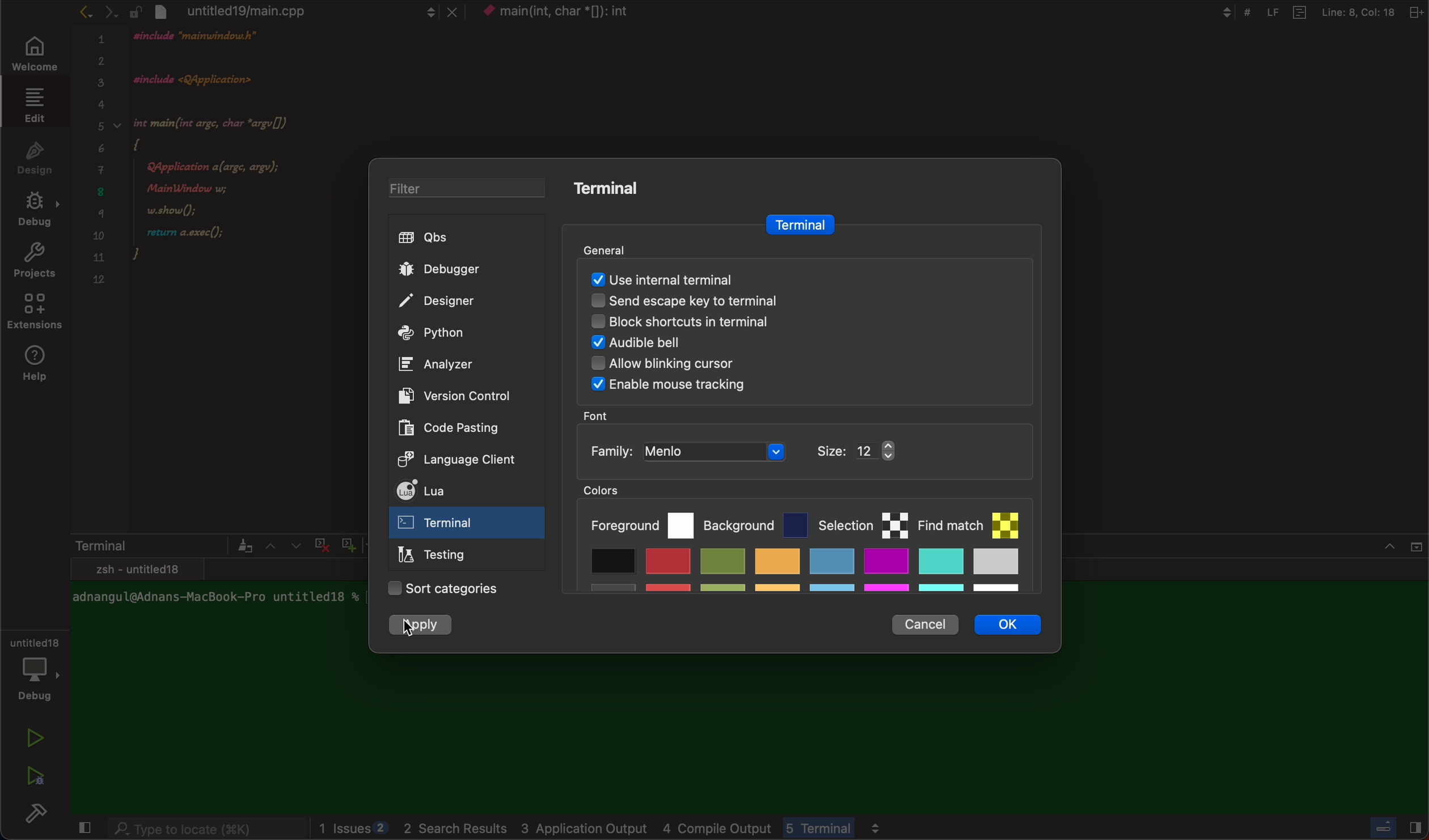  I want to click on , so click(576, 13).